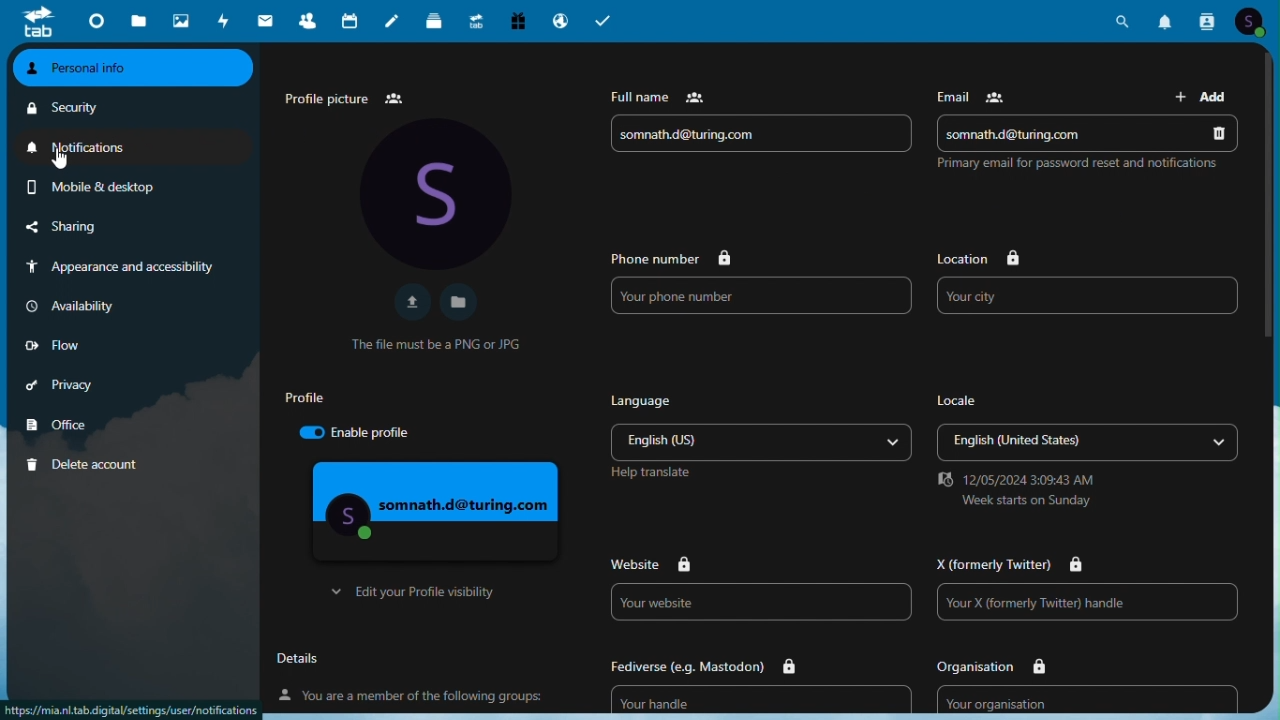  What do you see at coordinates (763, 698) in the screenshot?
I see `Fediverse` at bounding box center [763, 698].